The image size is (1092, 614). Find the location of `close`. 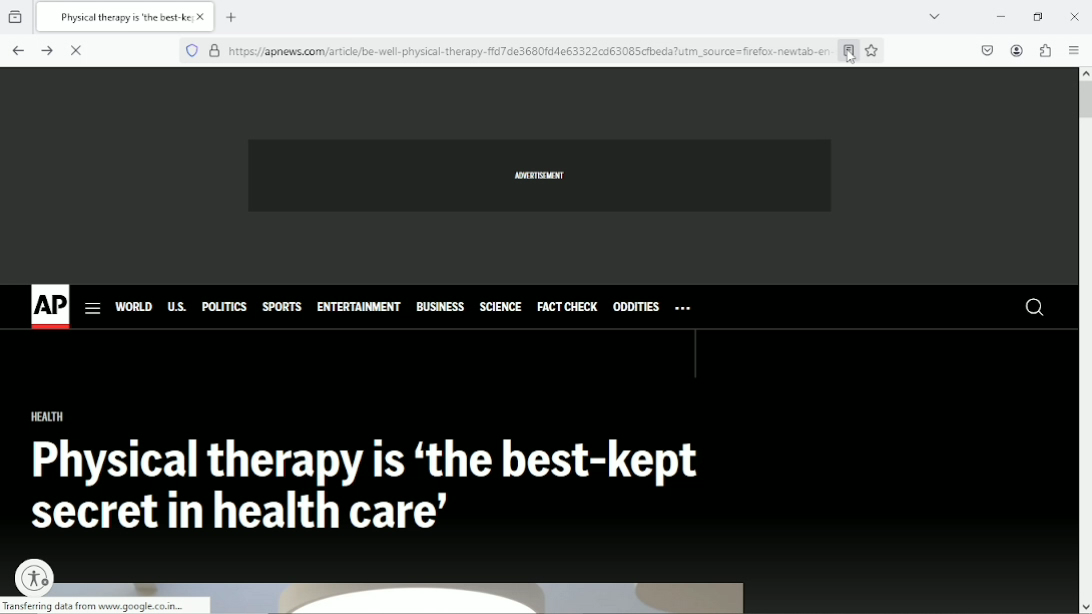

close is located at coordinates (76, 50).